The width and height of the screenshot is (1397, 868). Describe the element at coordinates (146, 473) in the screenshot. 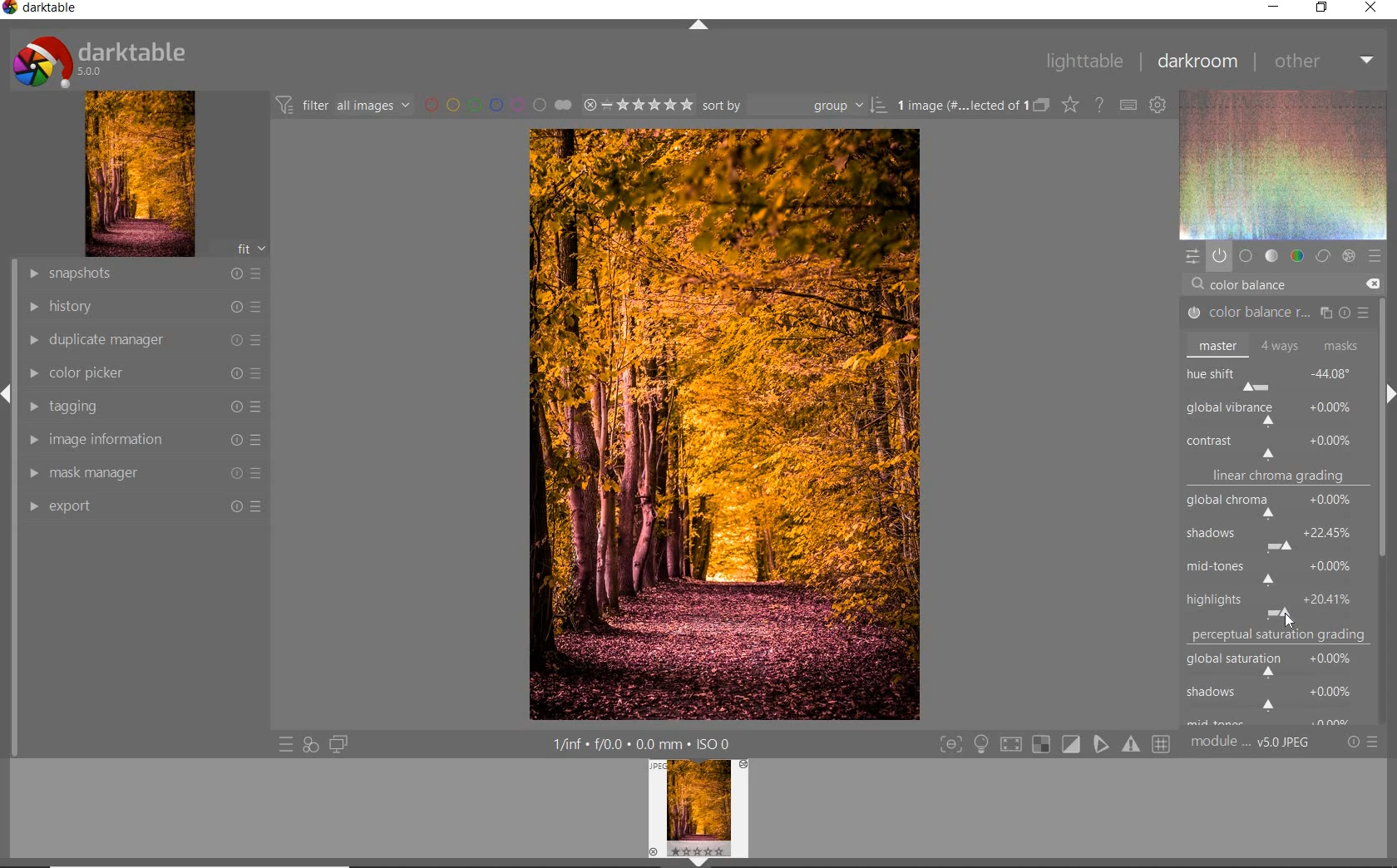

I see `mask manager` at that location.